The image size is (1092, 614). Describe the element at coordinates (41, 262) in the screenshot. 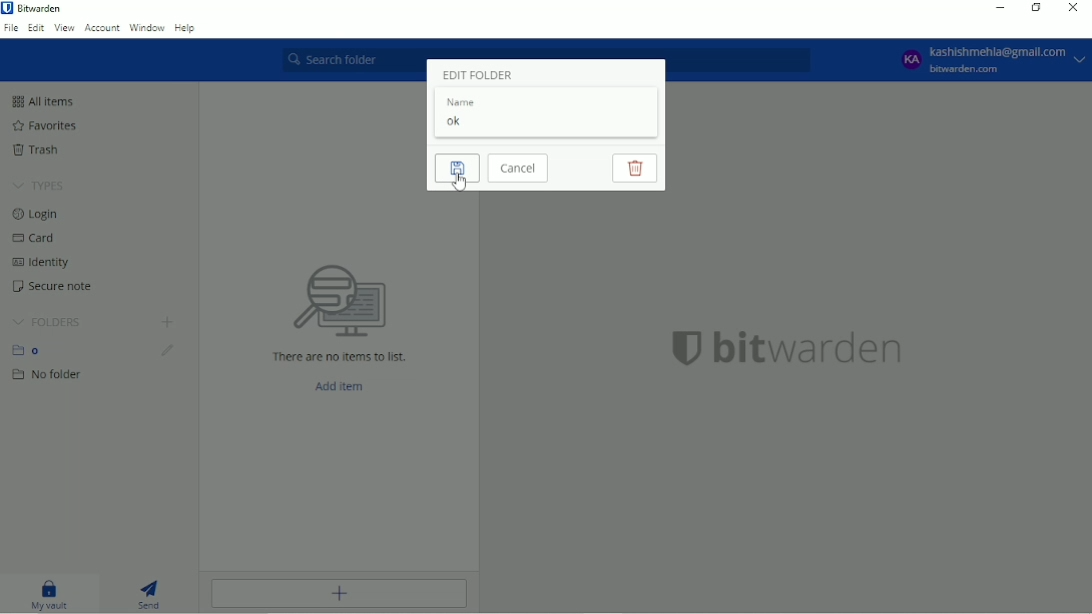

I see `Identity` at that location.